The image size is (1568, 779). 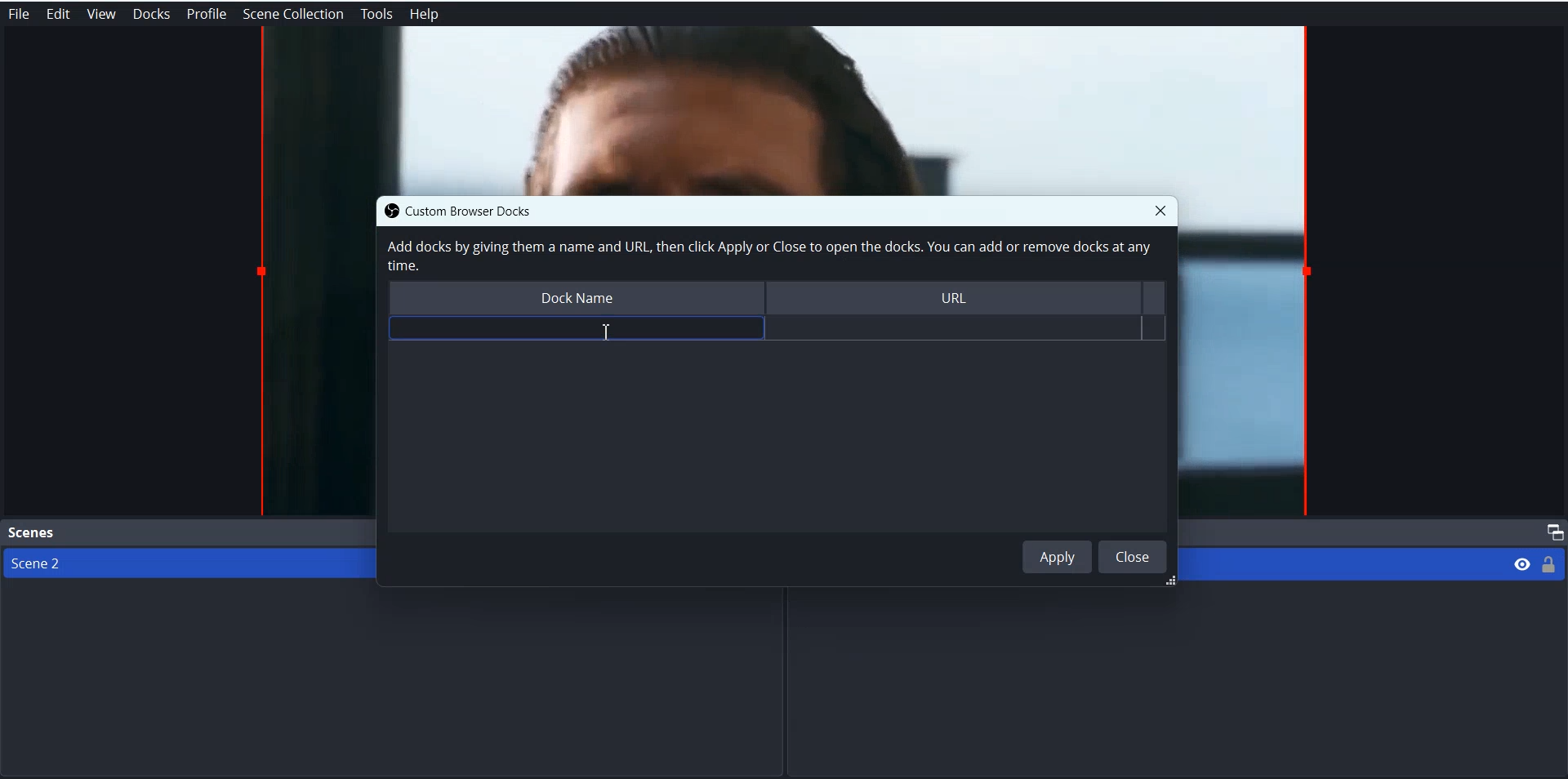 I want to click on URL, so click(x=962, y=300).